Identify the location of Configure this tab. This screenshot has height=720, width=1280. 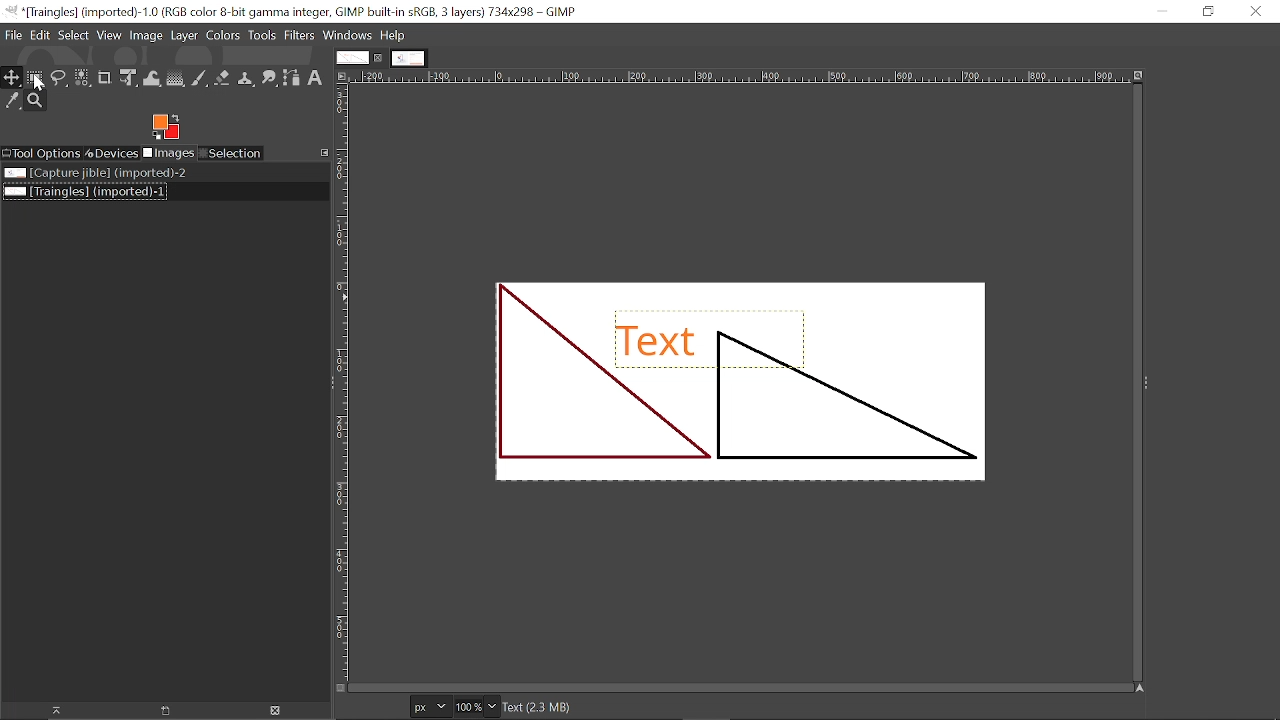
(324, 152).